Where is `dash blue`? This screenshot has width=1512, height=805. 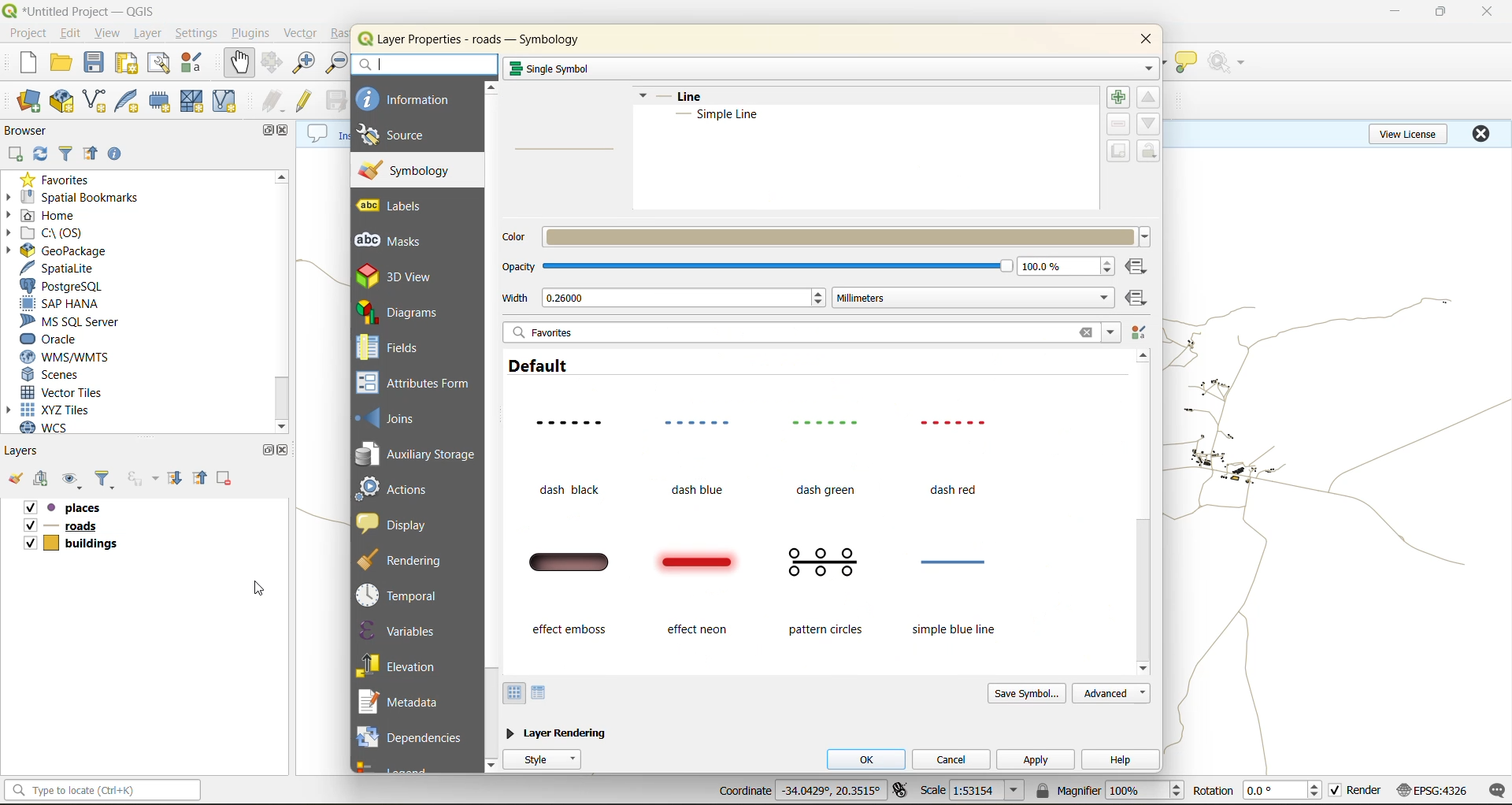 dash blue is located at coordinates (695, 462).